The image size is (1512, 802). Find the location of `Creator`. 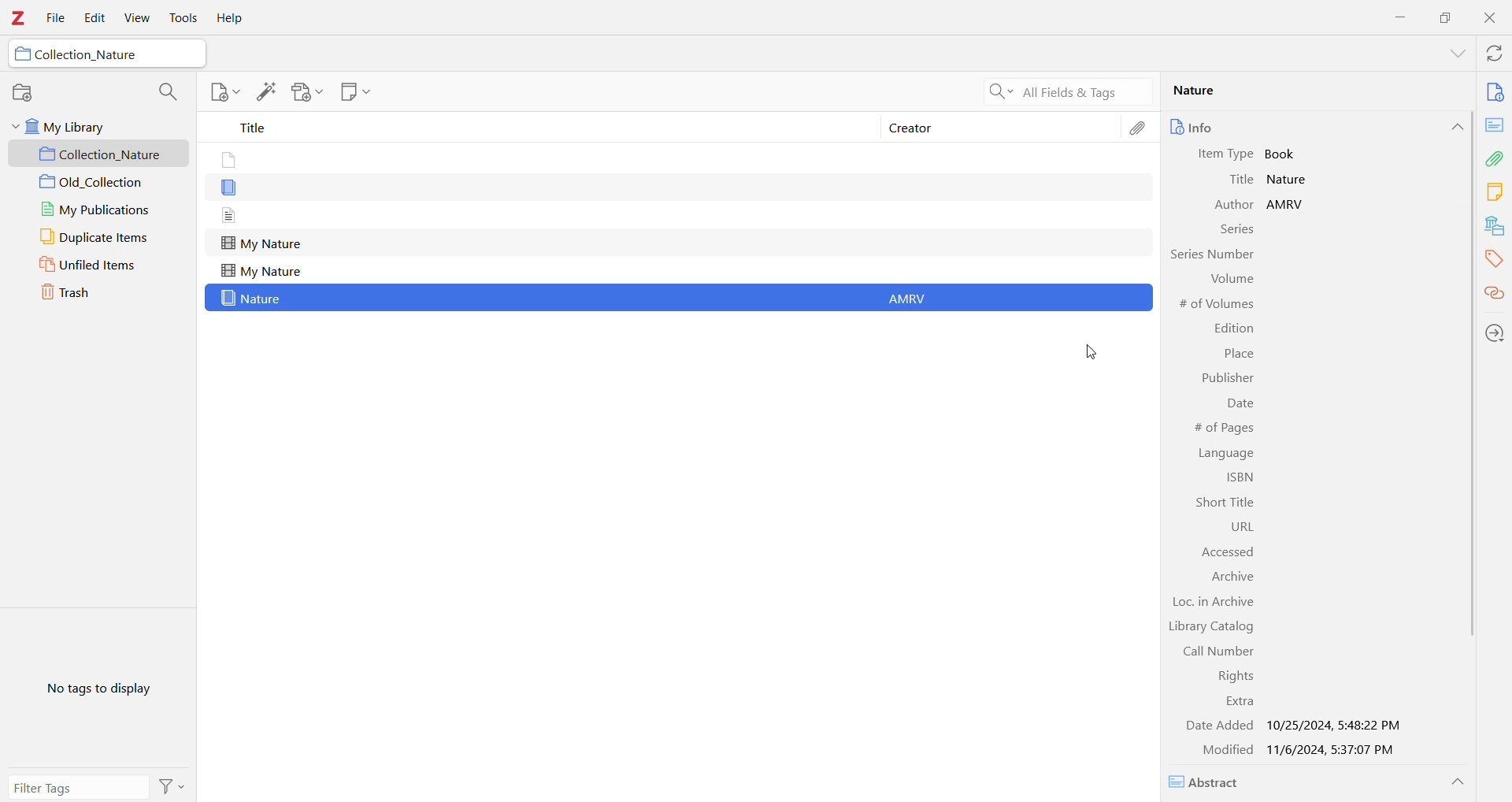

Creator is located at coordinates (1002, 126).